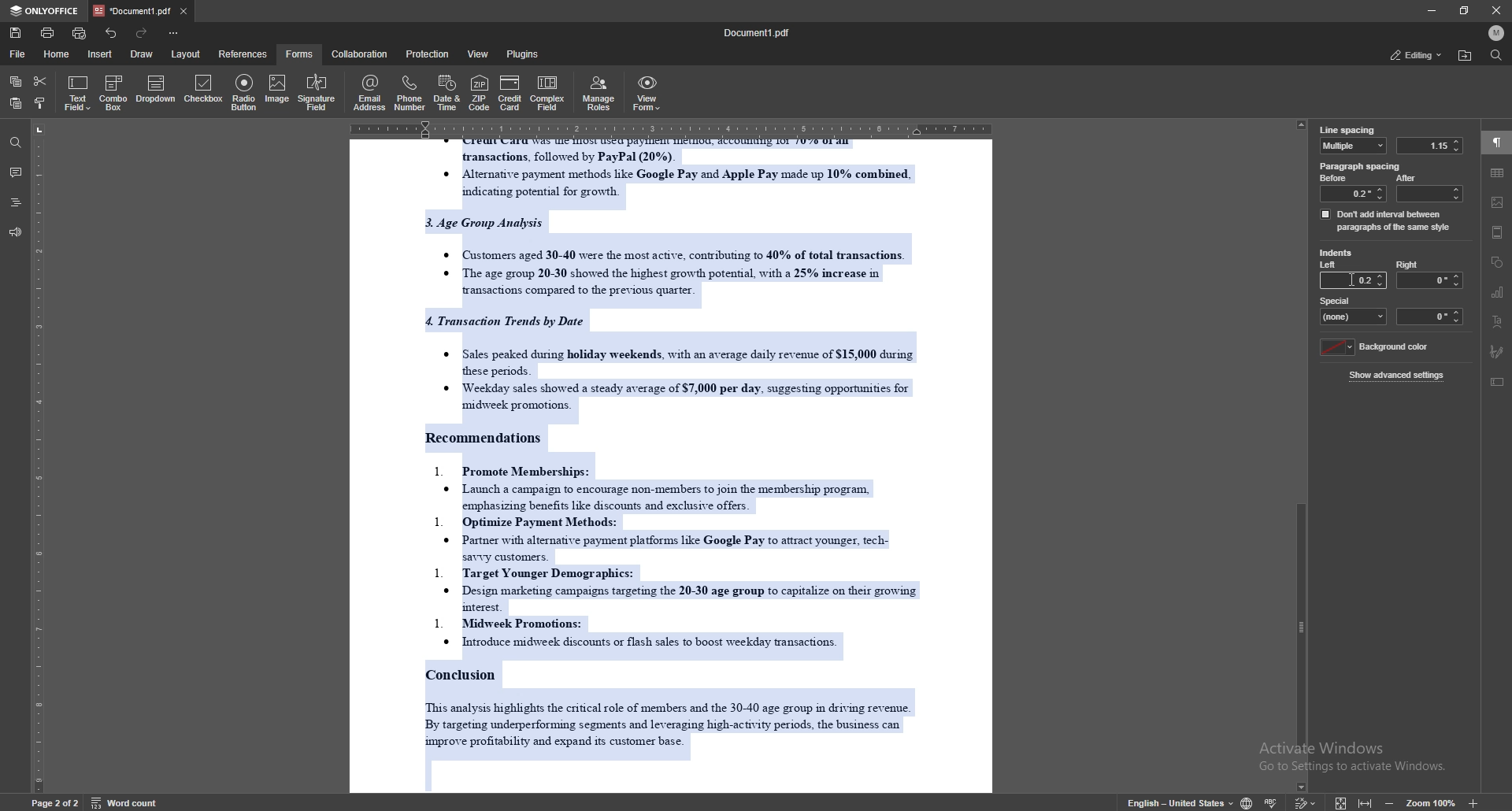  What do you see at coordinates (244, 54) in the screenshot?
I see `references` at bounding box center [244, 54].